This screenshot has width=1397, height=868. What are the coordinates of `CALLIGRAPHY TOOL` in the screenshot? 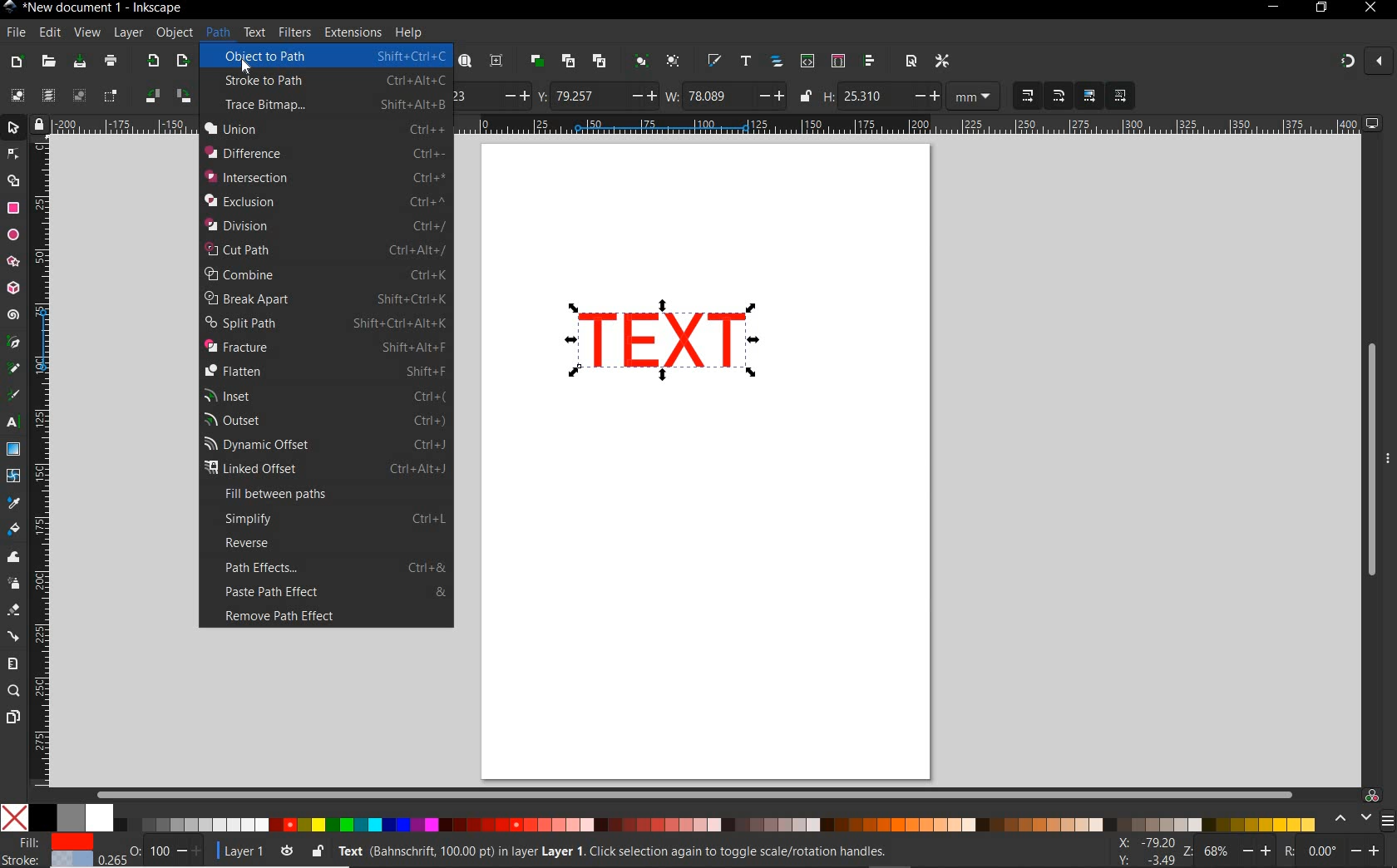 It's located at (16, 397).